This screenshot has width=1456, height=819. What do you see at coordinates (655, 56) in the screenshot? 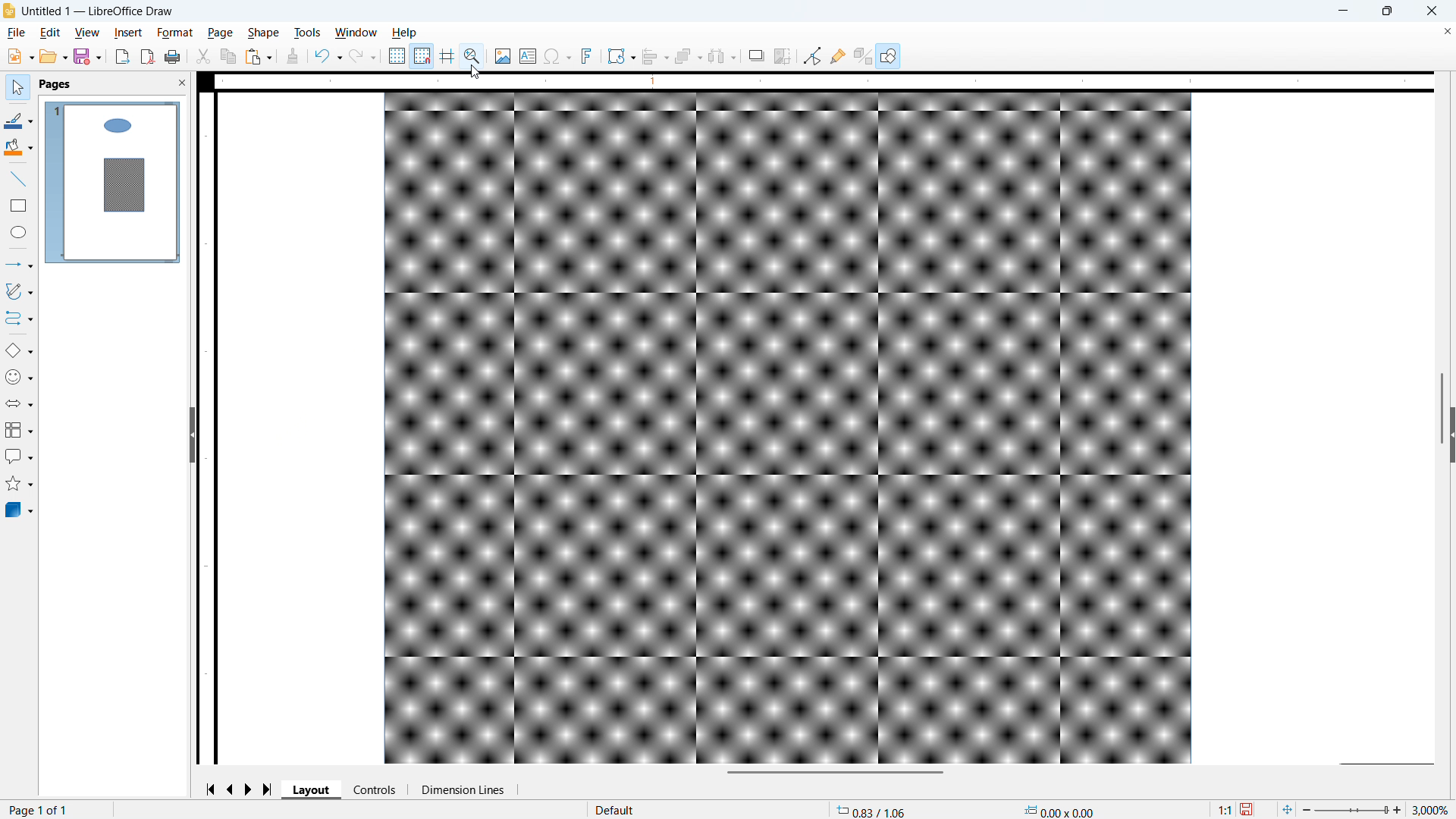
I see `Align ` at bounding box center [655, 56].